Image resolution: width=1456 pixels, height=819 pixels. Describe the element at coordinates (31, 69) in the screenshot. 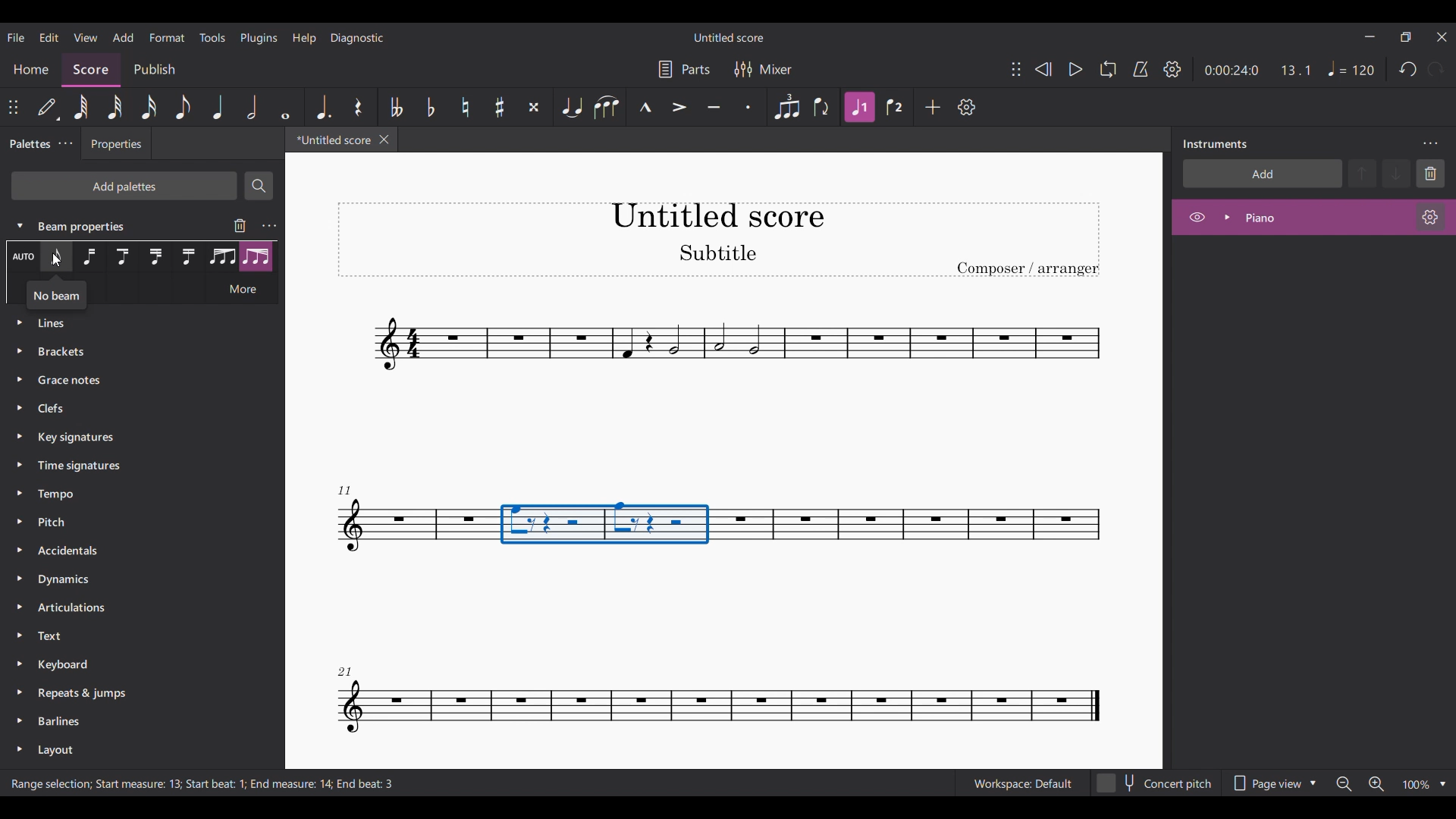

I see `Home section` at that location.